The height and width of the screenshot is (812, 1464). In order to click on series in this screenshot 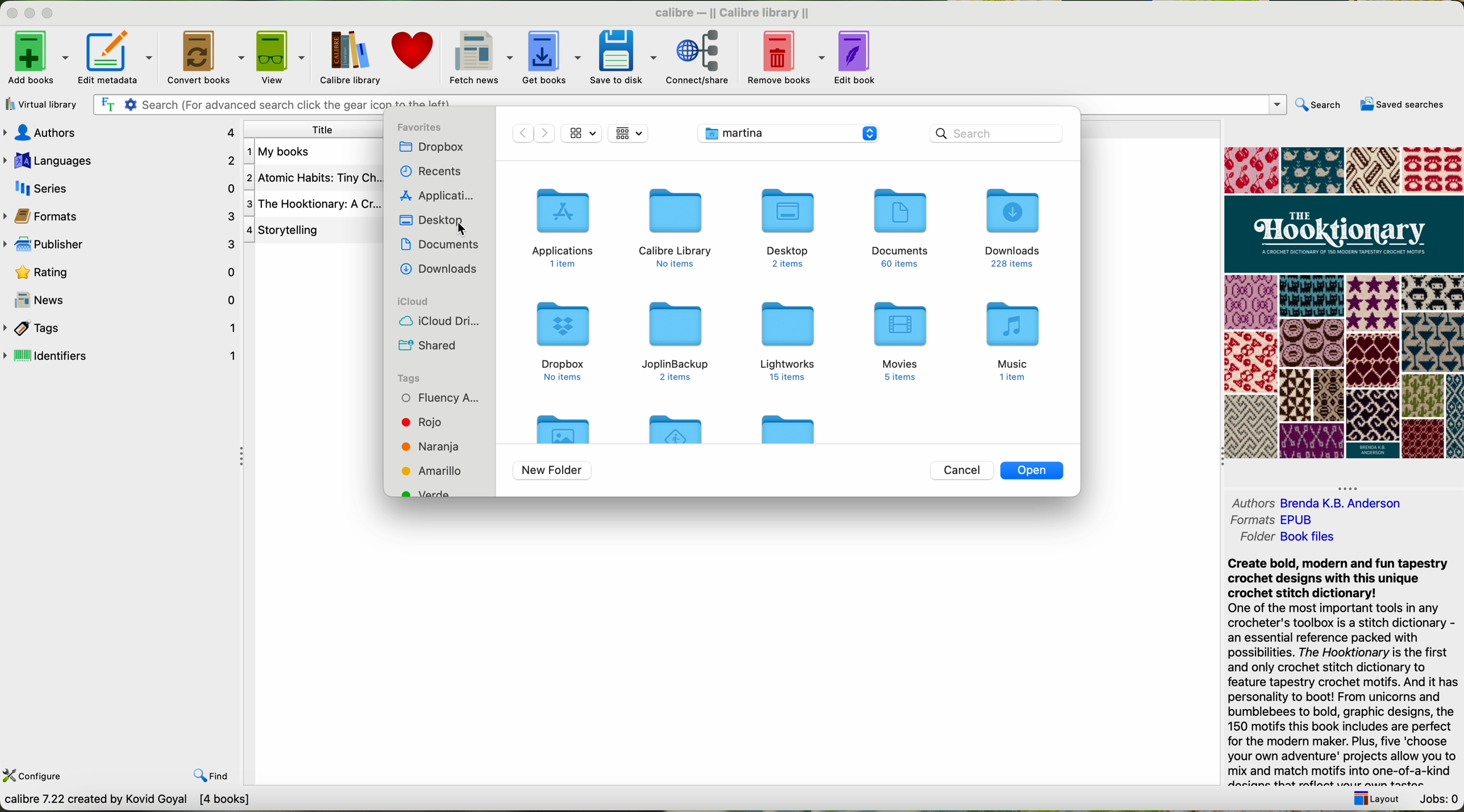, I will do `click(121, 189)`.